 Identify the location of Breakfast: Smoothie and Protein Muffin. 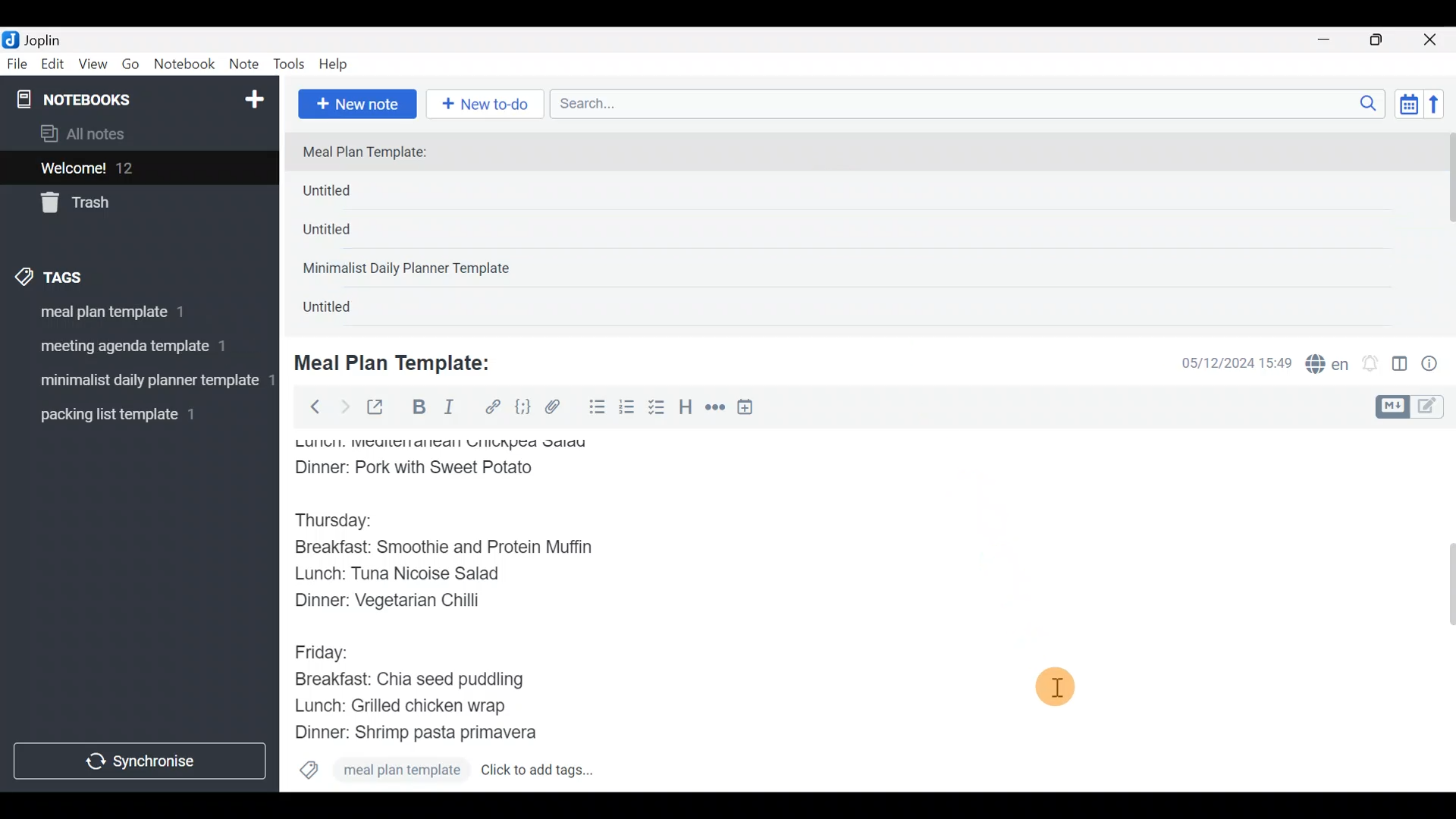
(444, 551).